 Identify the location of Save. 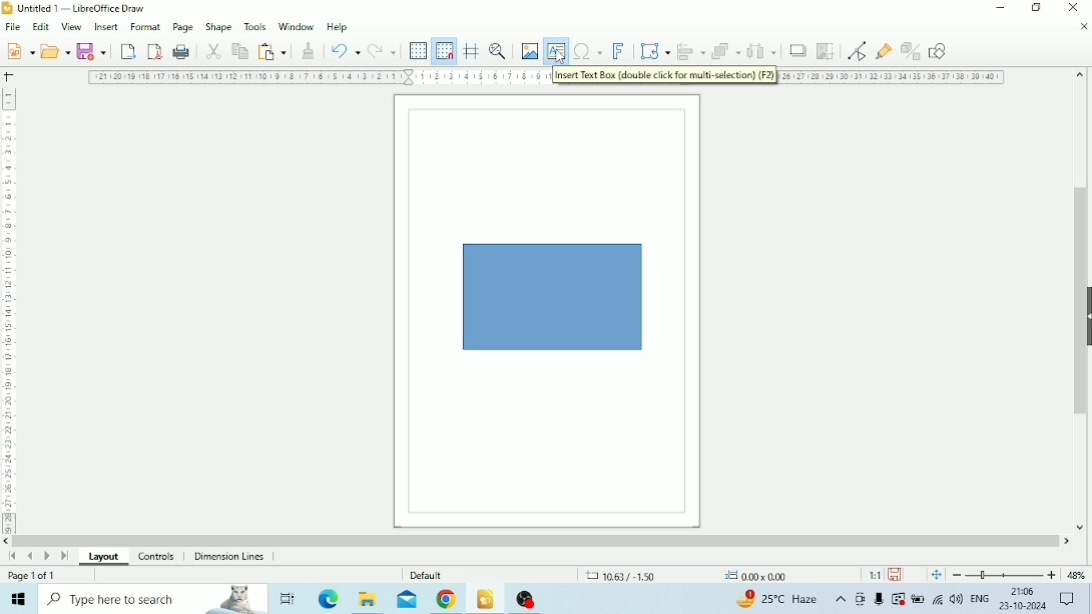
(92, 52).